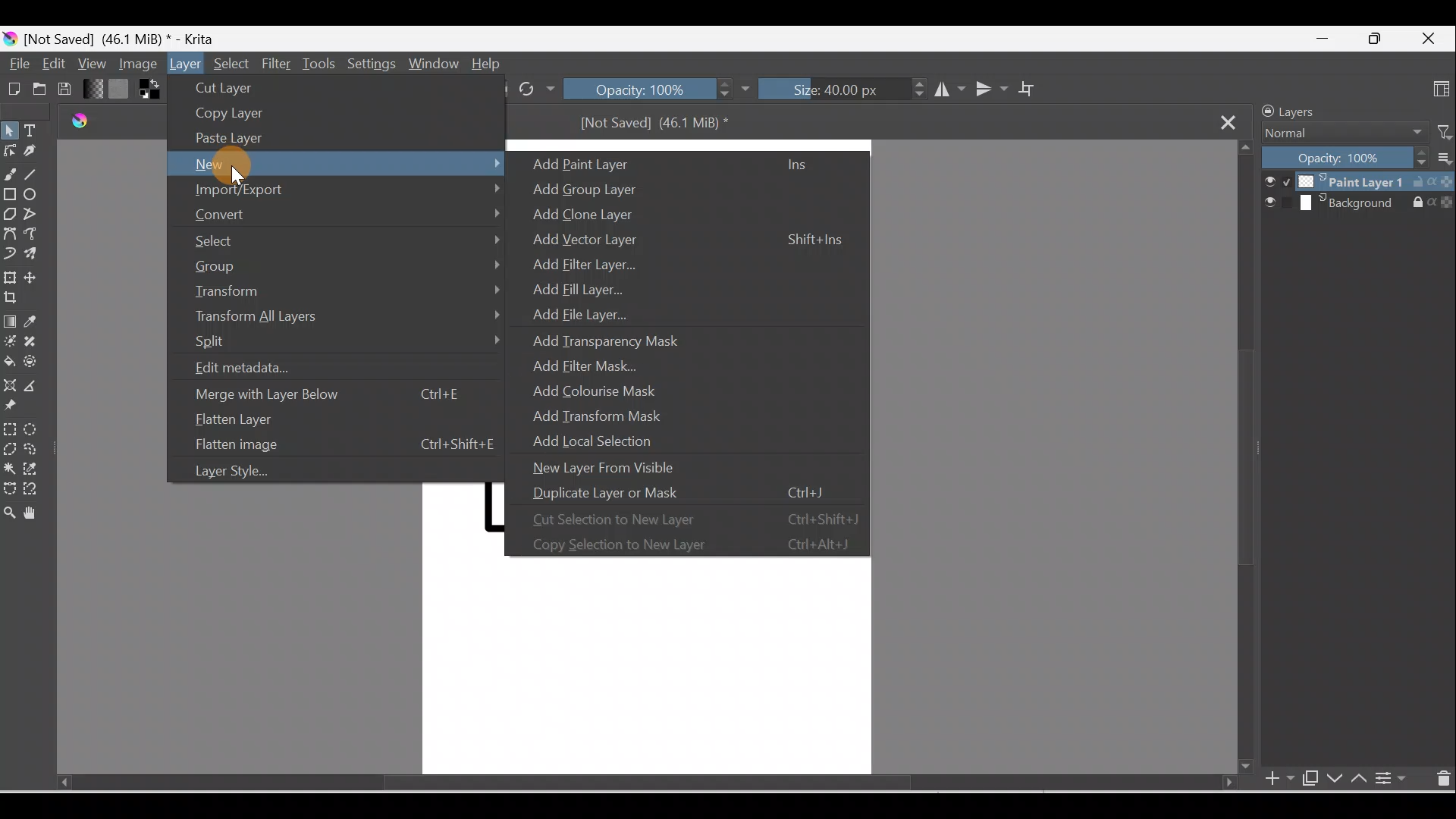 The height and width of the screenshot is (819, 1456). What do you see at coordinates (130, 36) in the screenshot?
I see `[Not Saved] (46 1 MiB) * - Krita` at bounding box center [130, 36].